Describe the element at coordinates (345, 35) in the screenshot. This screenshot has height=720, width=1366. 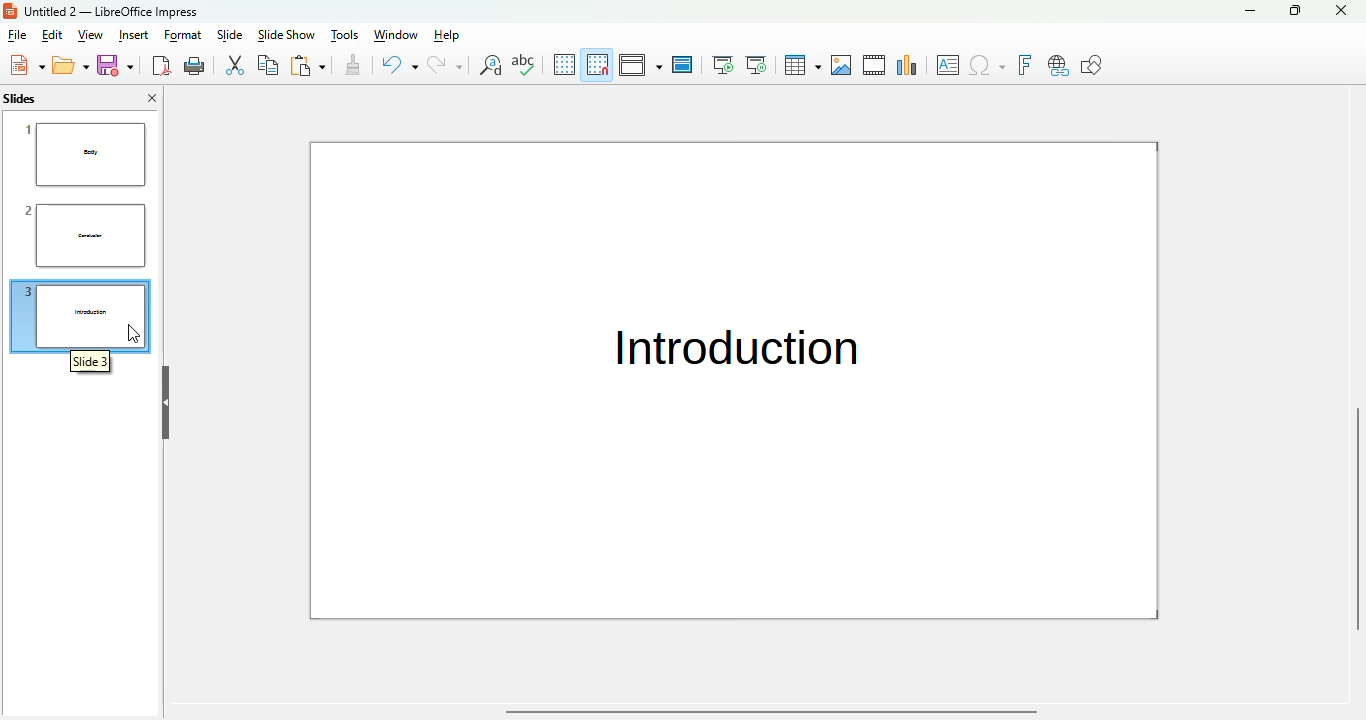
I see `tools` at that location.